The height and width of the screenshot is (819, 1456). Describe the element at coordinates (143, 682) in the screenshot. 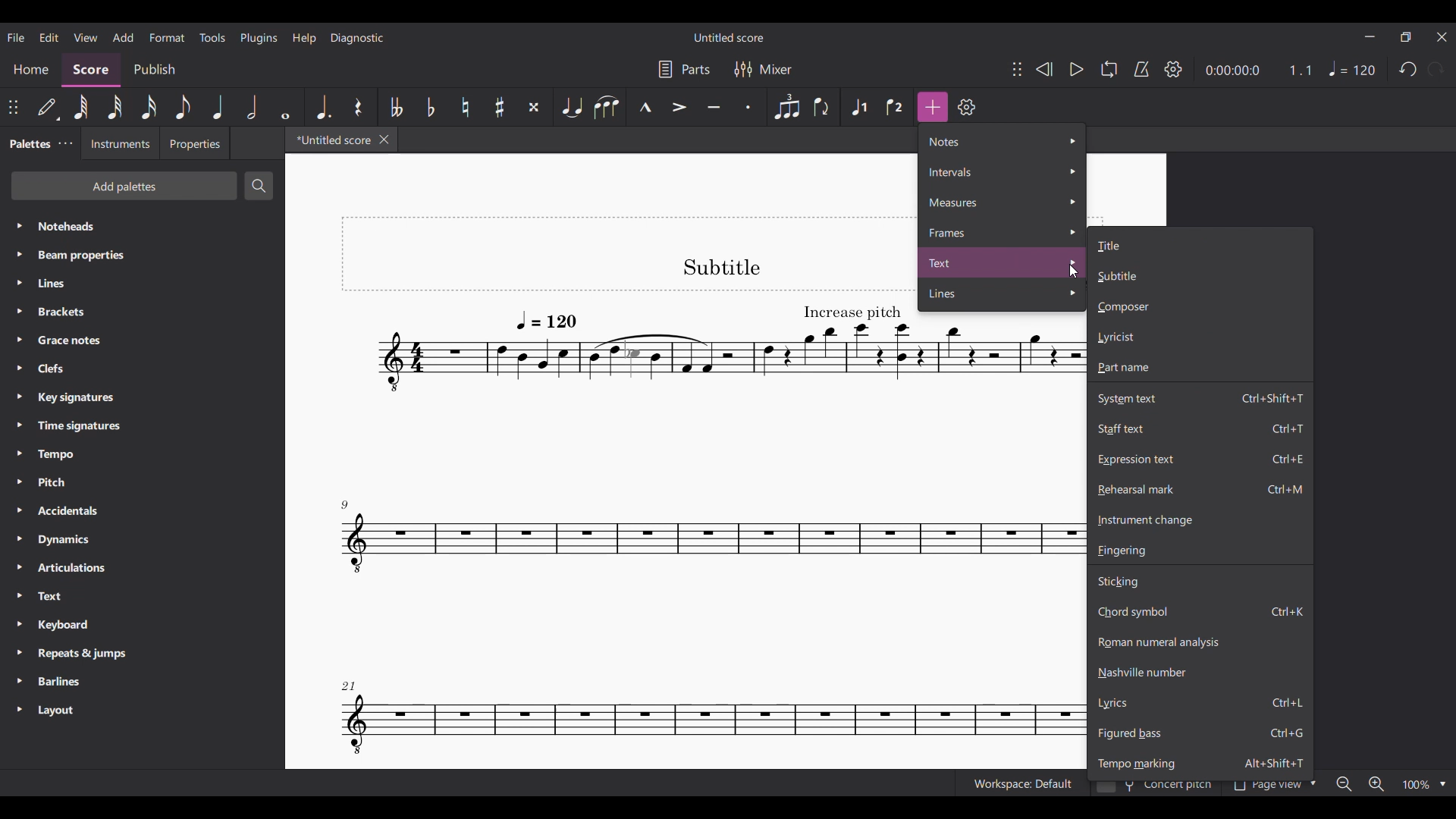

I see `Barlines` at that location.